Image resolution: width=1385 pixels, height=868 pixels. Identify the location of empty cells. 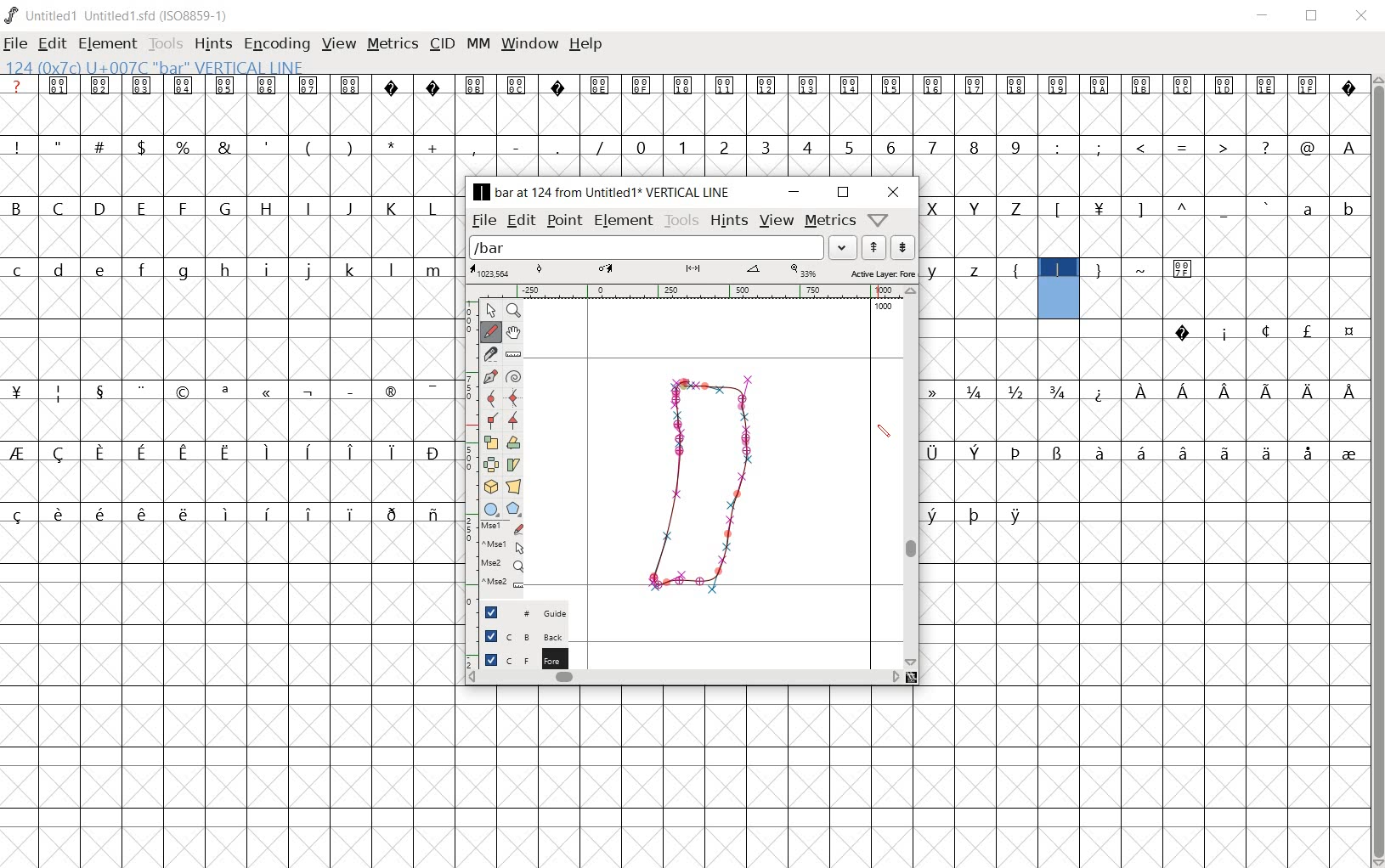
(229, 359).